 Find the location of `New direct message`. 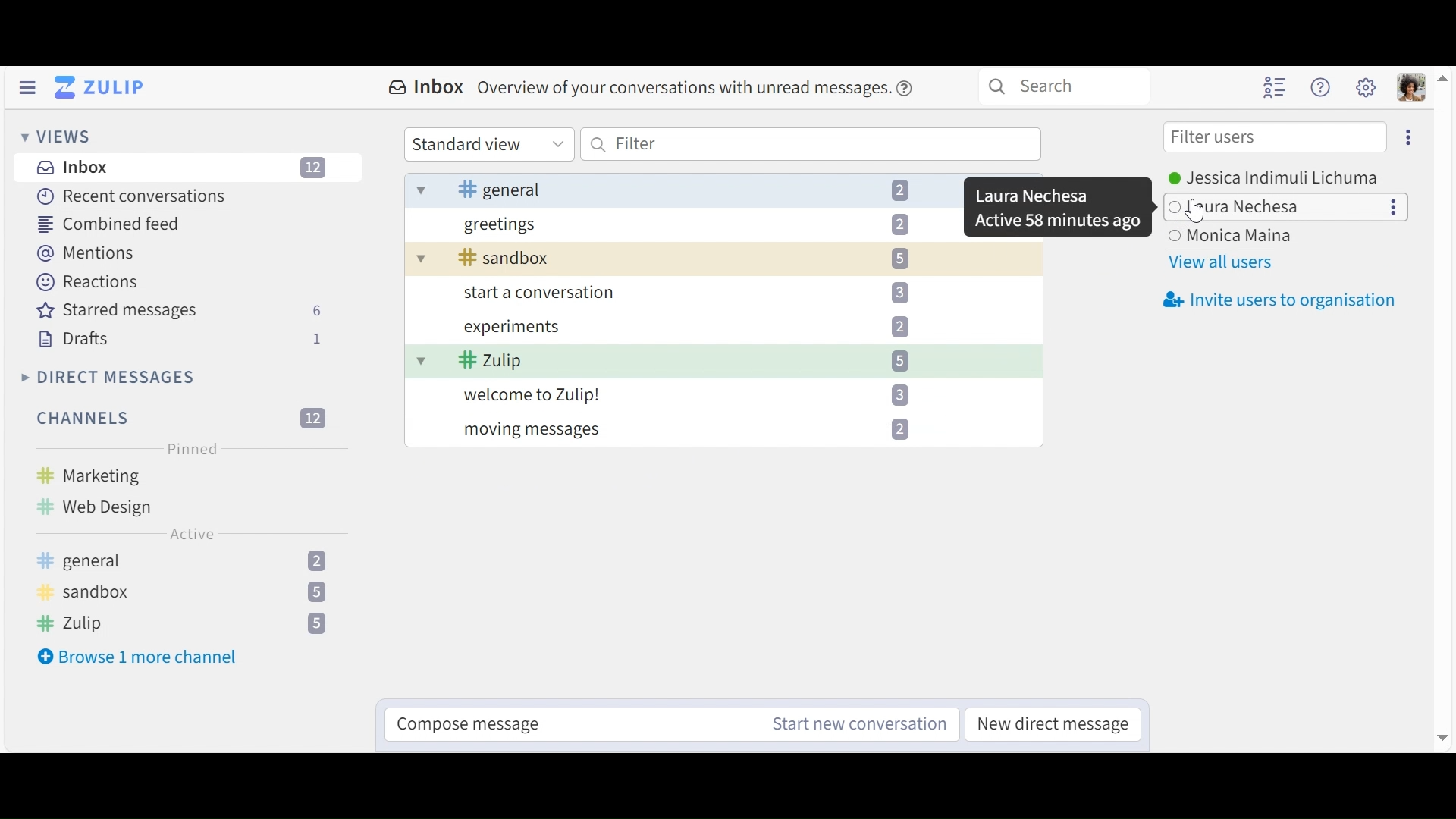

New direct message is located at coordinates (1056, 723).